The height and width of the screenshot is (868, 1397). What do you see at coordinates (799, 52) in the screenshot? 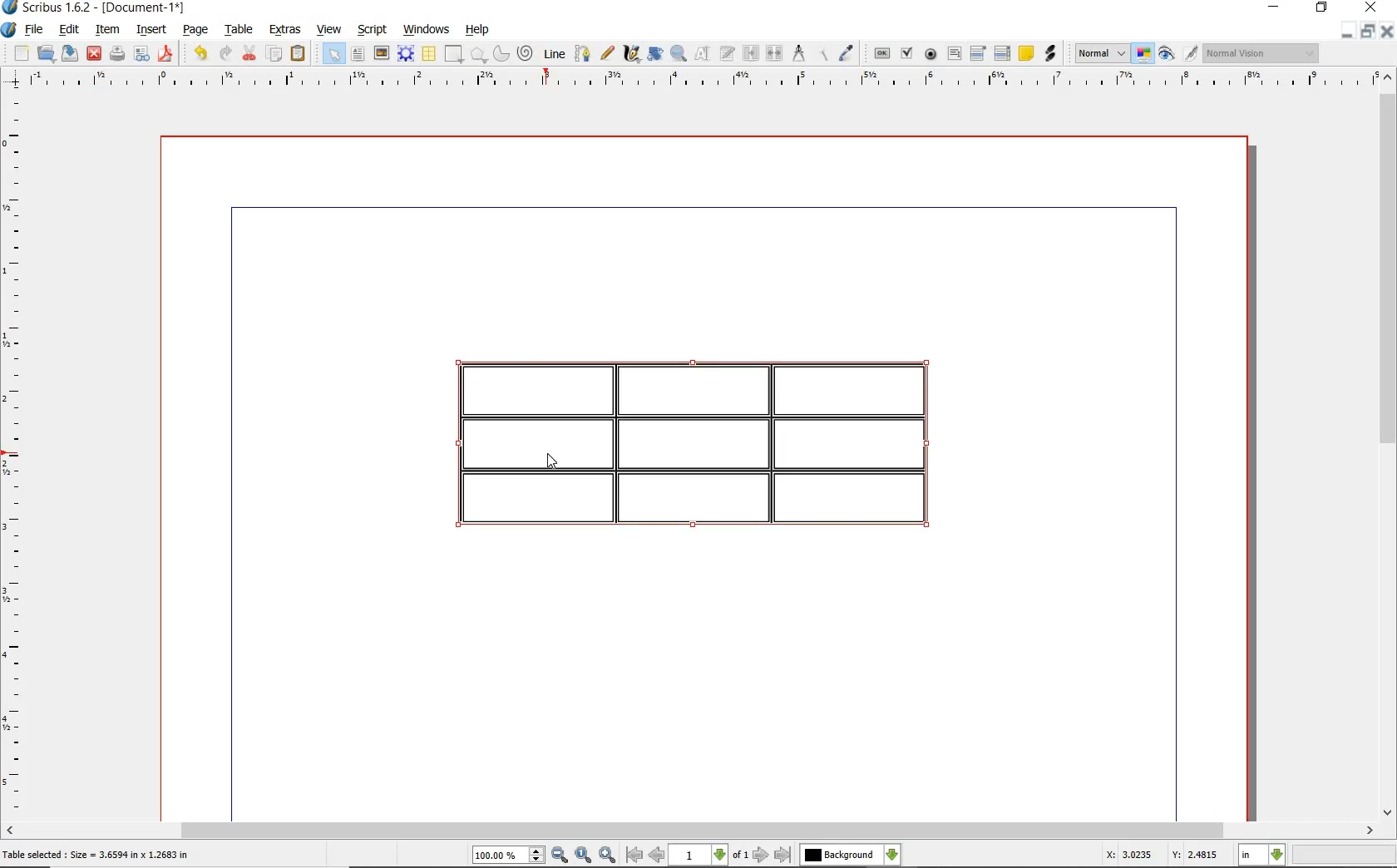
I see `measurements` at bounding box center [799, 52].